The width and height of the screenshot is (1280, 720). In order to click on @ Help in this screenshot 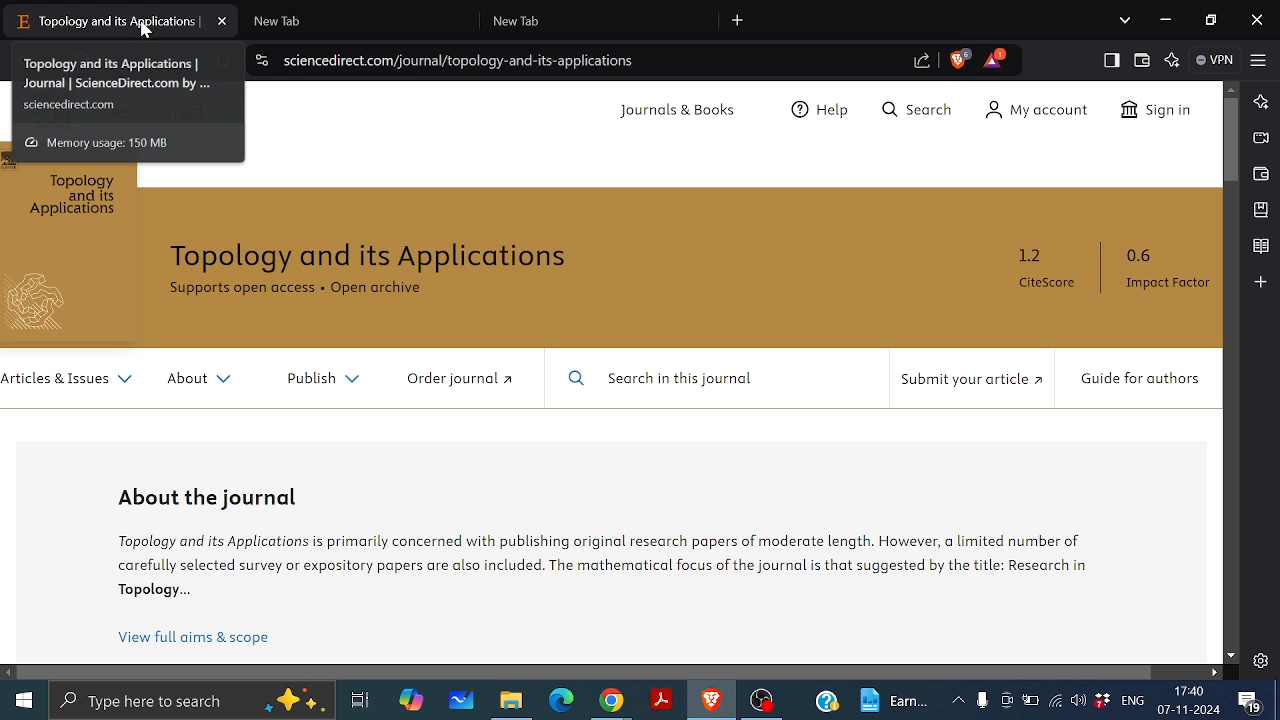, I will do `click(822, 112)`.